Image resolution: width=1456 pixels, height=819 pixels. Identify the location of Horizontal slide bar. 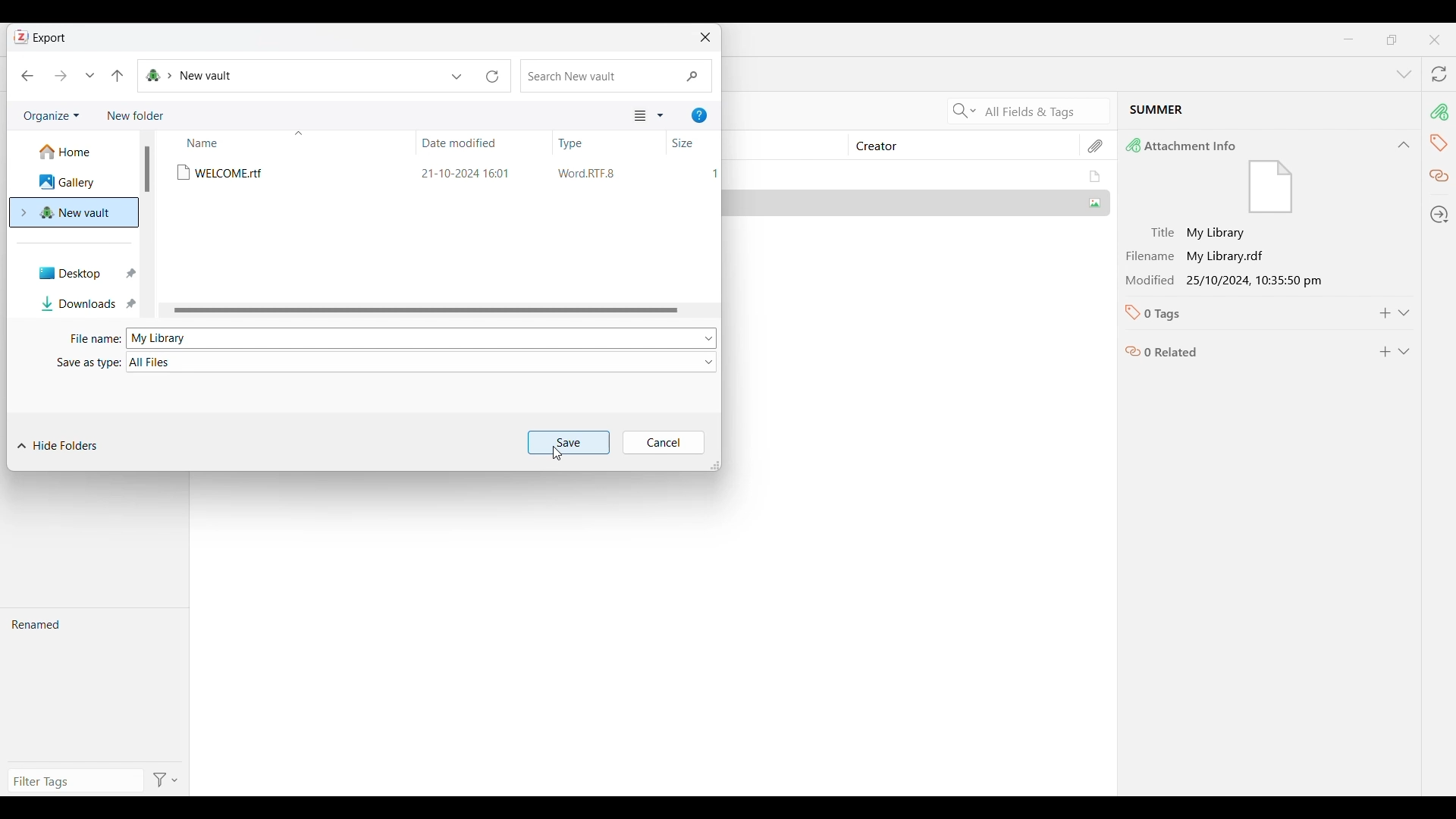
(427, 309).